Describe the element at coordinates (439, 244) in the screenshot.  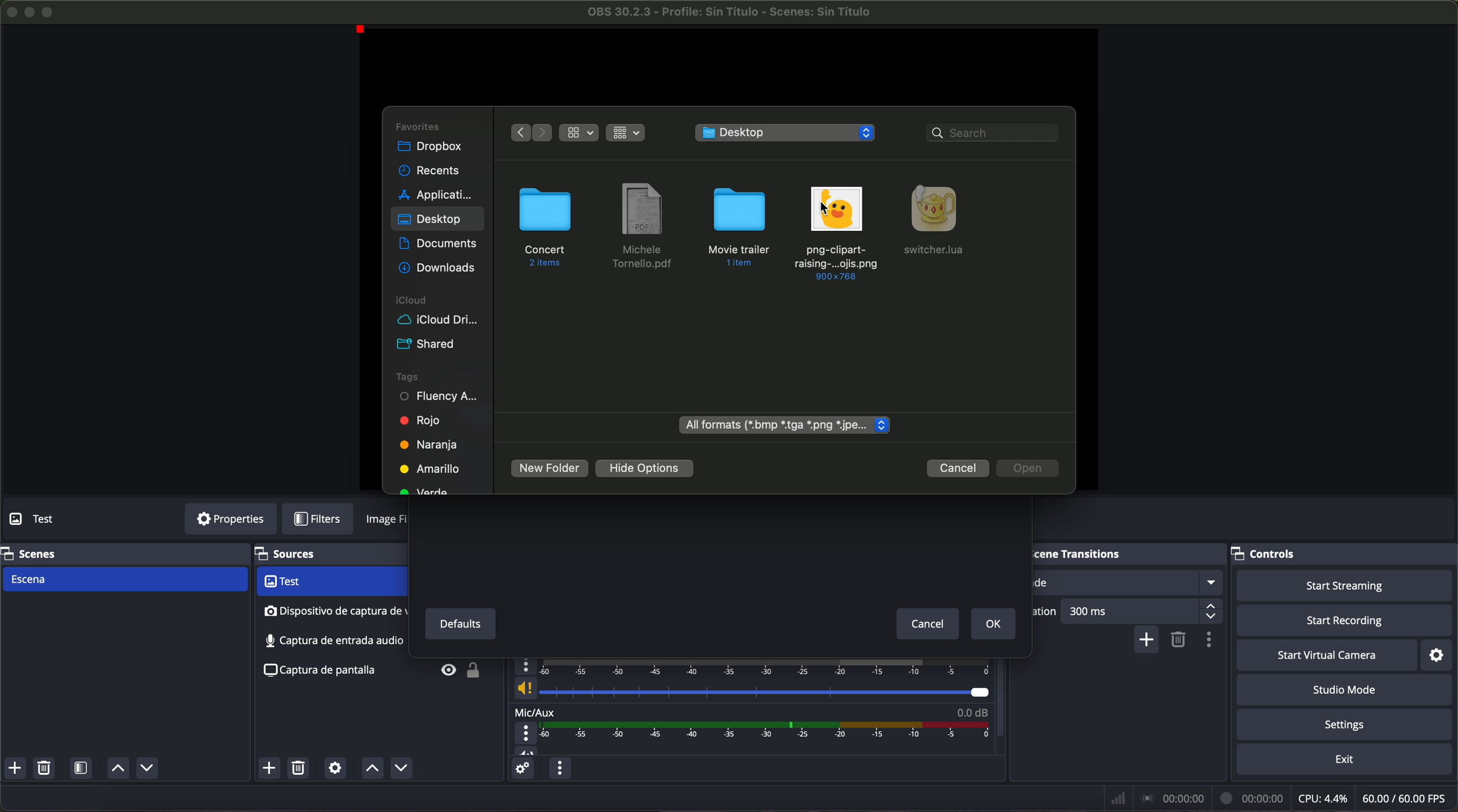
I see `documents` at that location.